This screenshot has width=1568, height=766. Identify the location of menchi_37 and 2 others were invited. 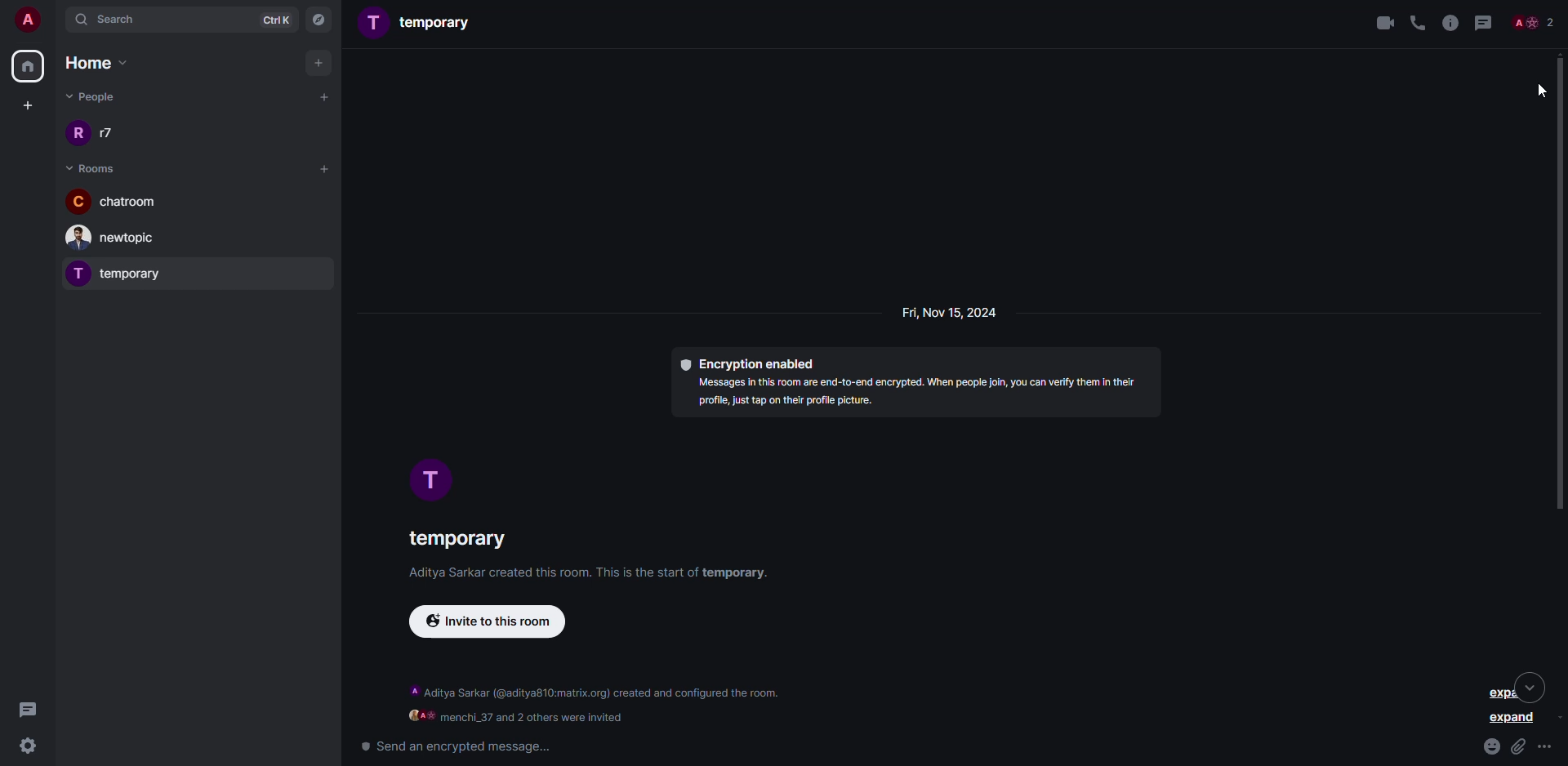
(517, 717).